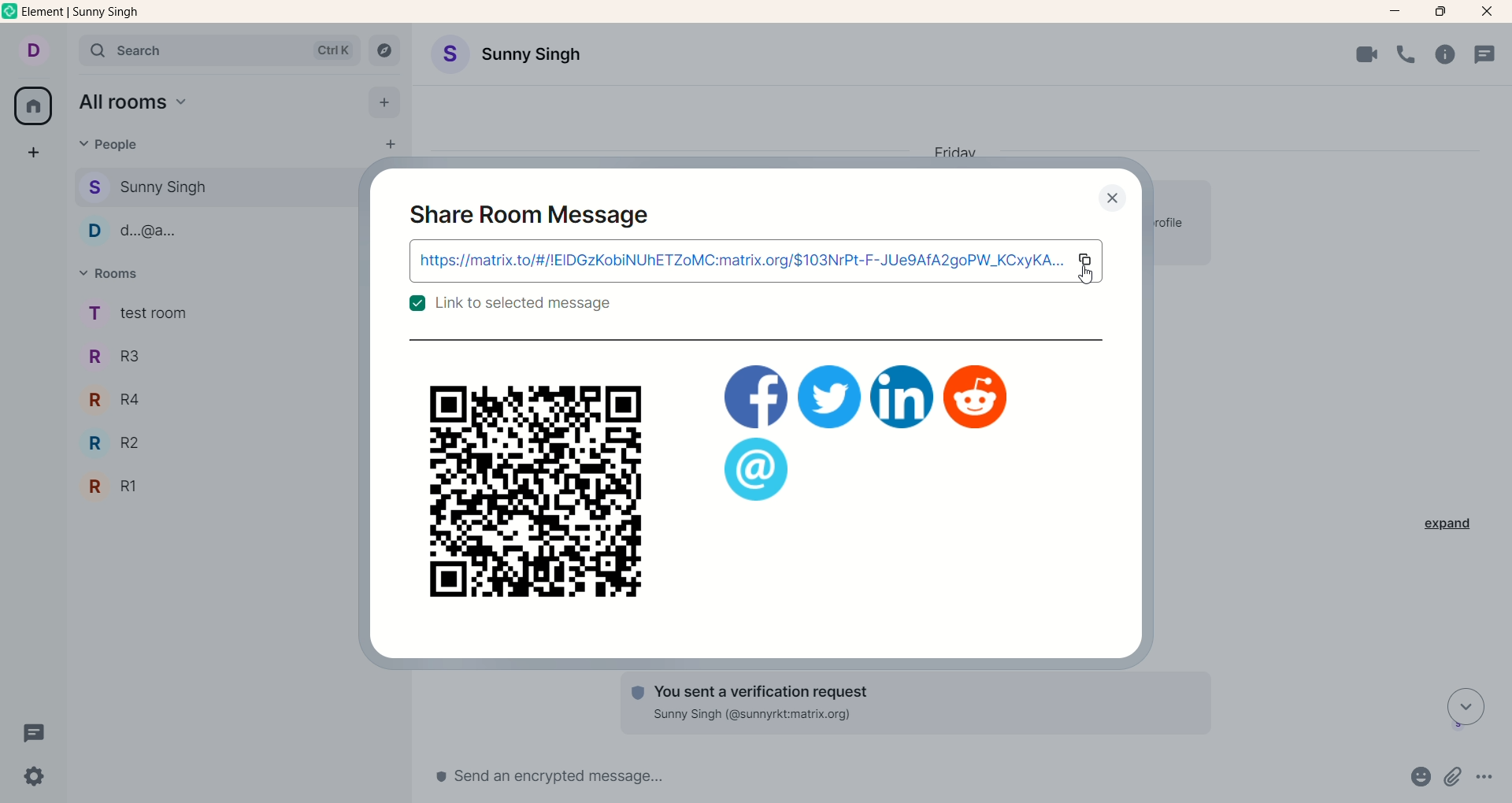 Image resolution: width=1512 pixels, height=803 pixels. I want to click on element, so click(81, 14).